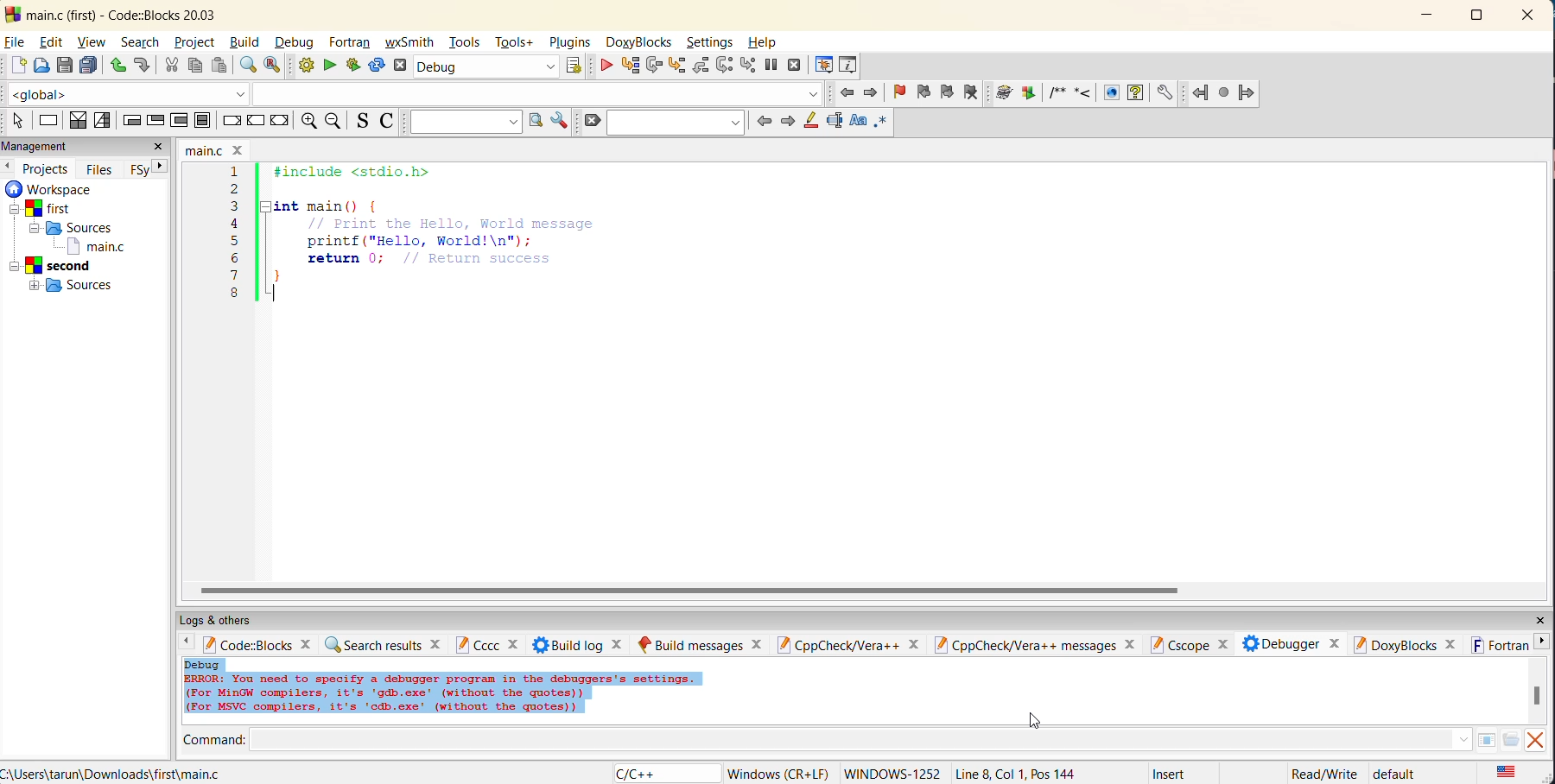 This screenshot has width=1555, height=784. What do you see at coordinates (748, 66) in the screenshot?
I see `step into instruction` at bounding box center [748, 66].